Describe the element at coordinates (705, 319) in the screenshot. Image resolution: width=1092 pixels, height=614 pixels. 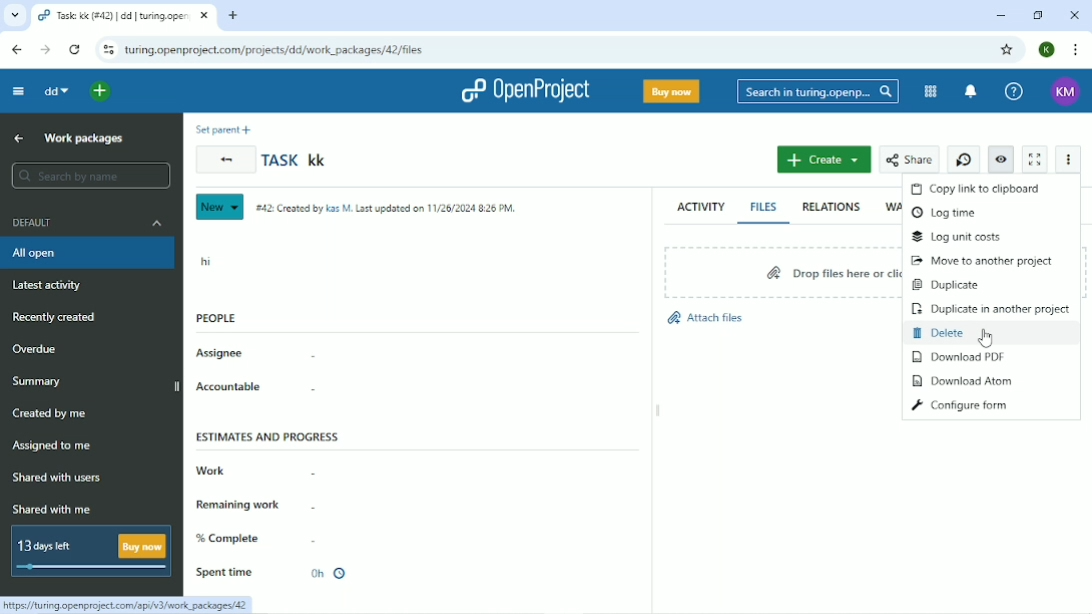
I see `Attach files` at that location.